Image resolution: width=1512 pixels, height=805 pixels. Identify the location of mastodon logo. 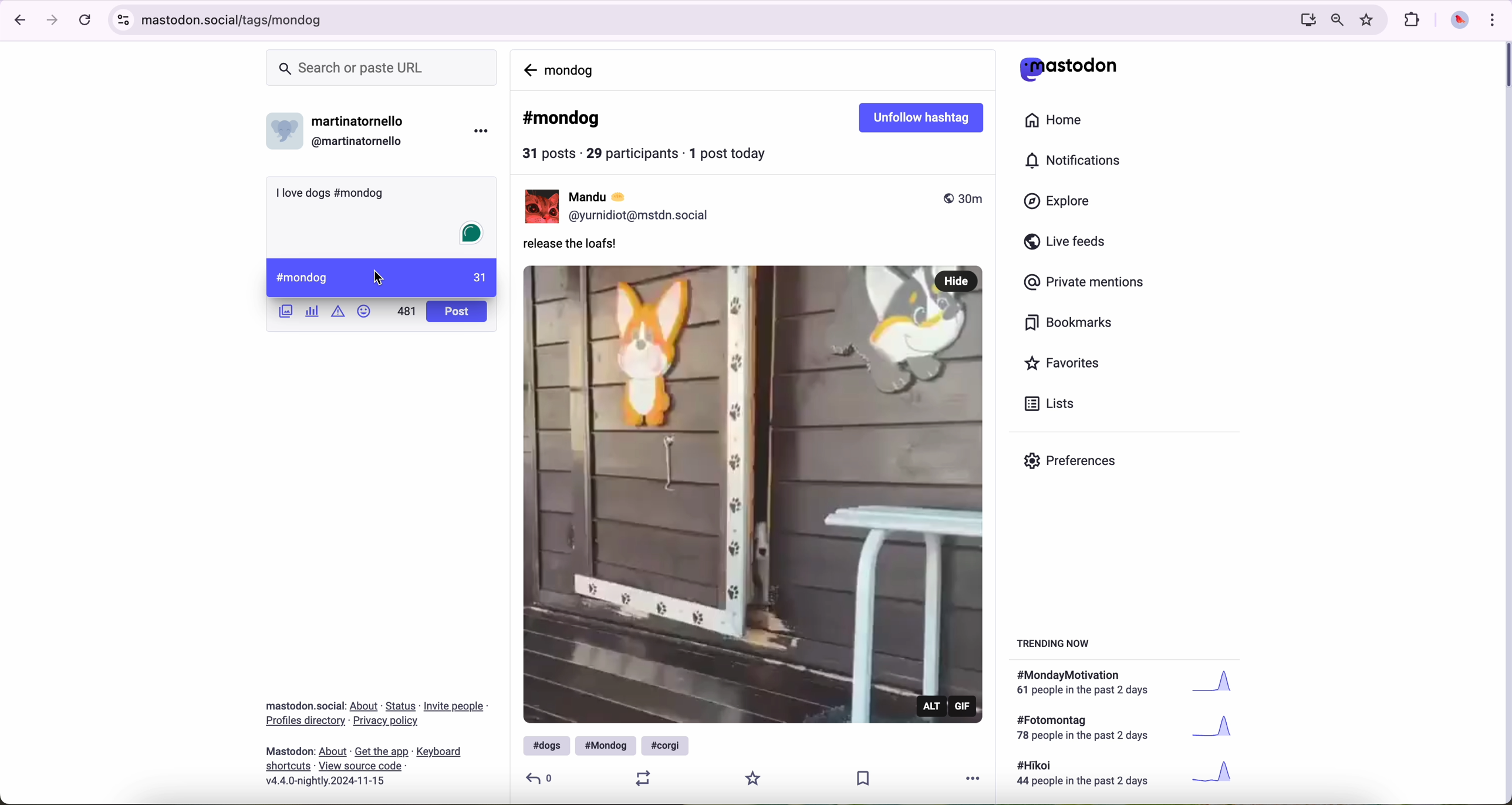
(1068, 68).